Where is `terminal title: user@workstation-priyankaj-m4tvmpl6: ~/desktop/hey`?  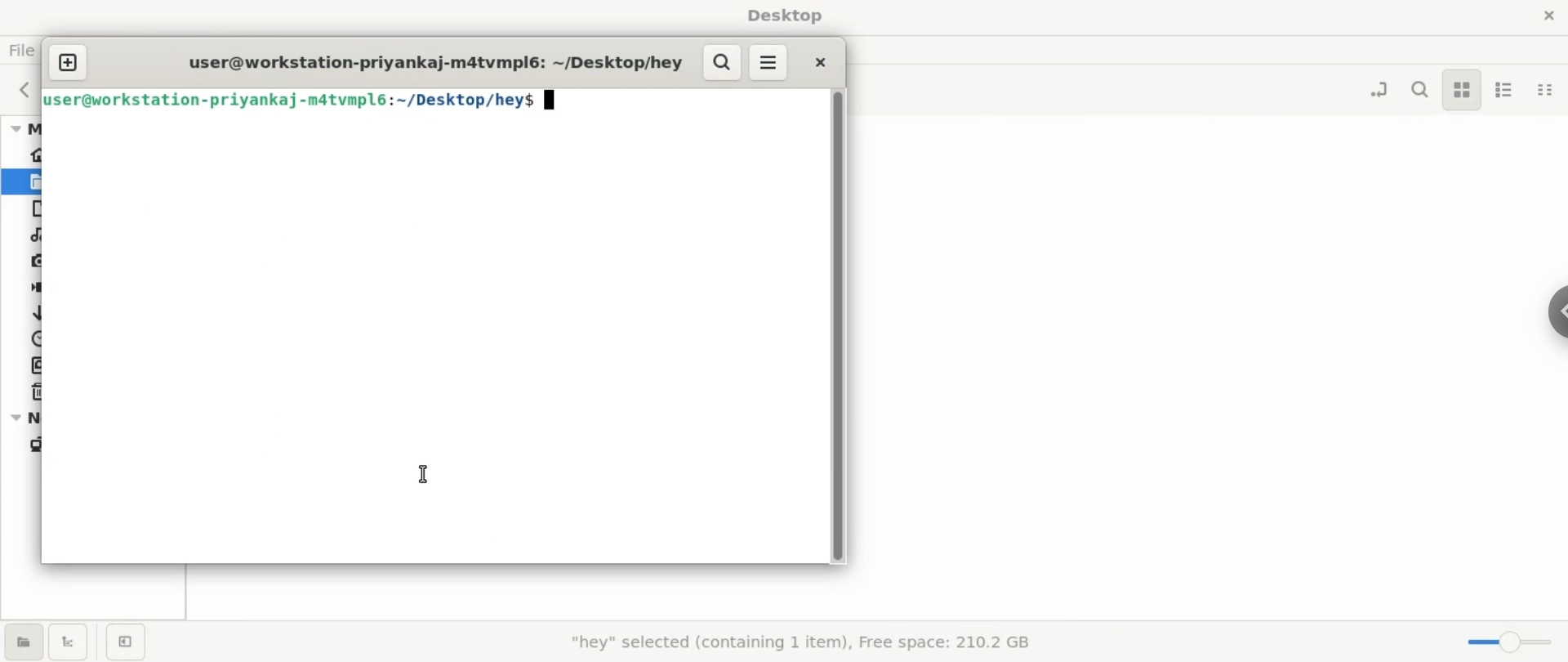 terminal title: user@workstation-priyankaj-m4tvmpl6: ~/desktop/hey is located at coordinates (434, 60).